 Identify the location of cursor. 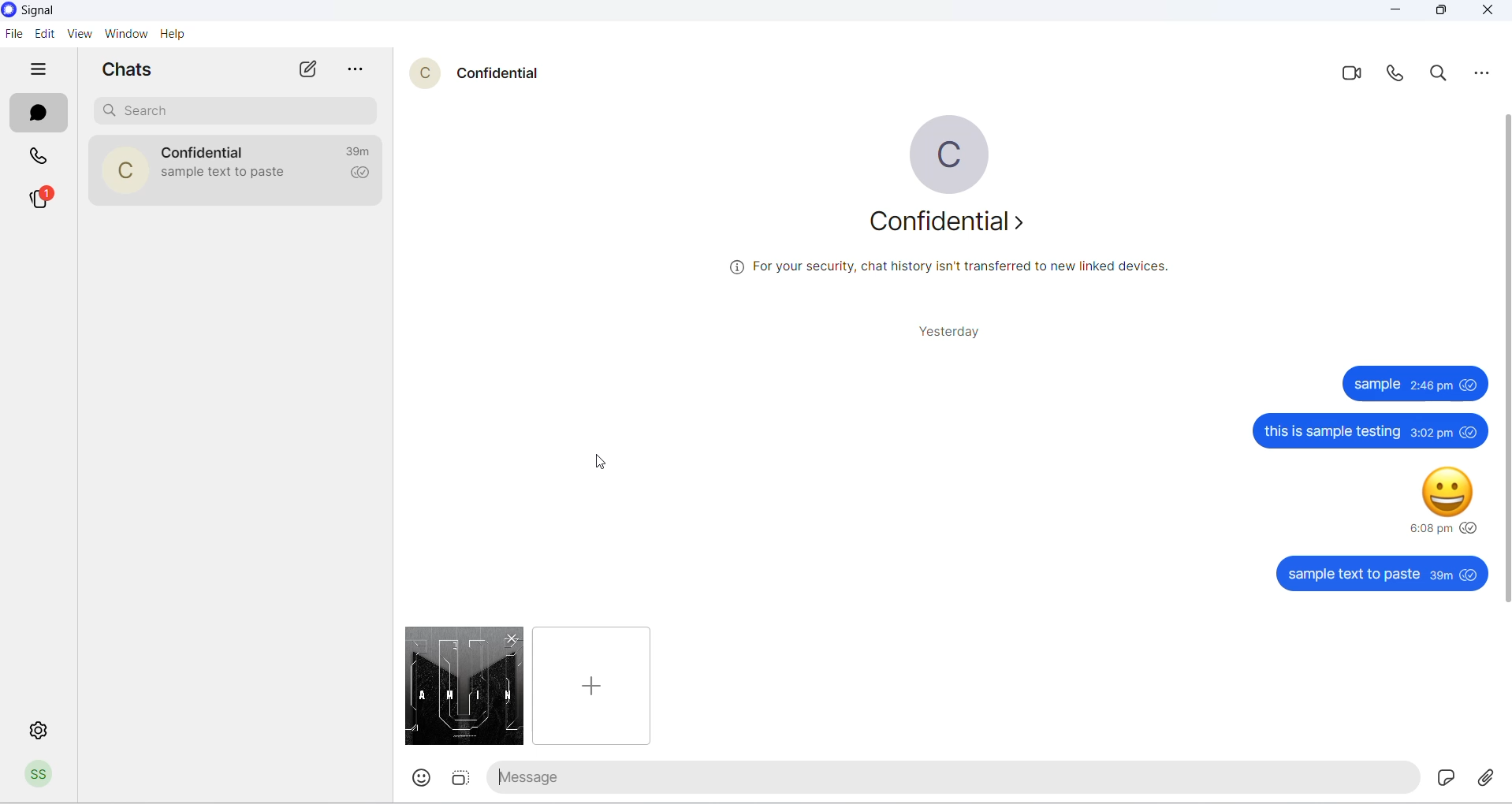
(602, 456).